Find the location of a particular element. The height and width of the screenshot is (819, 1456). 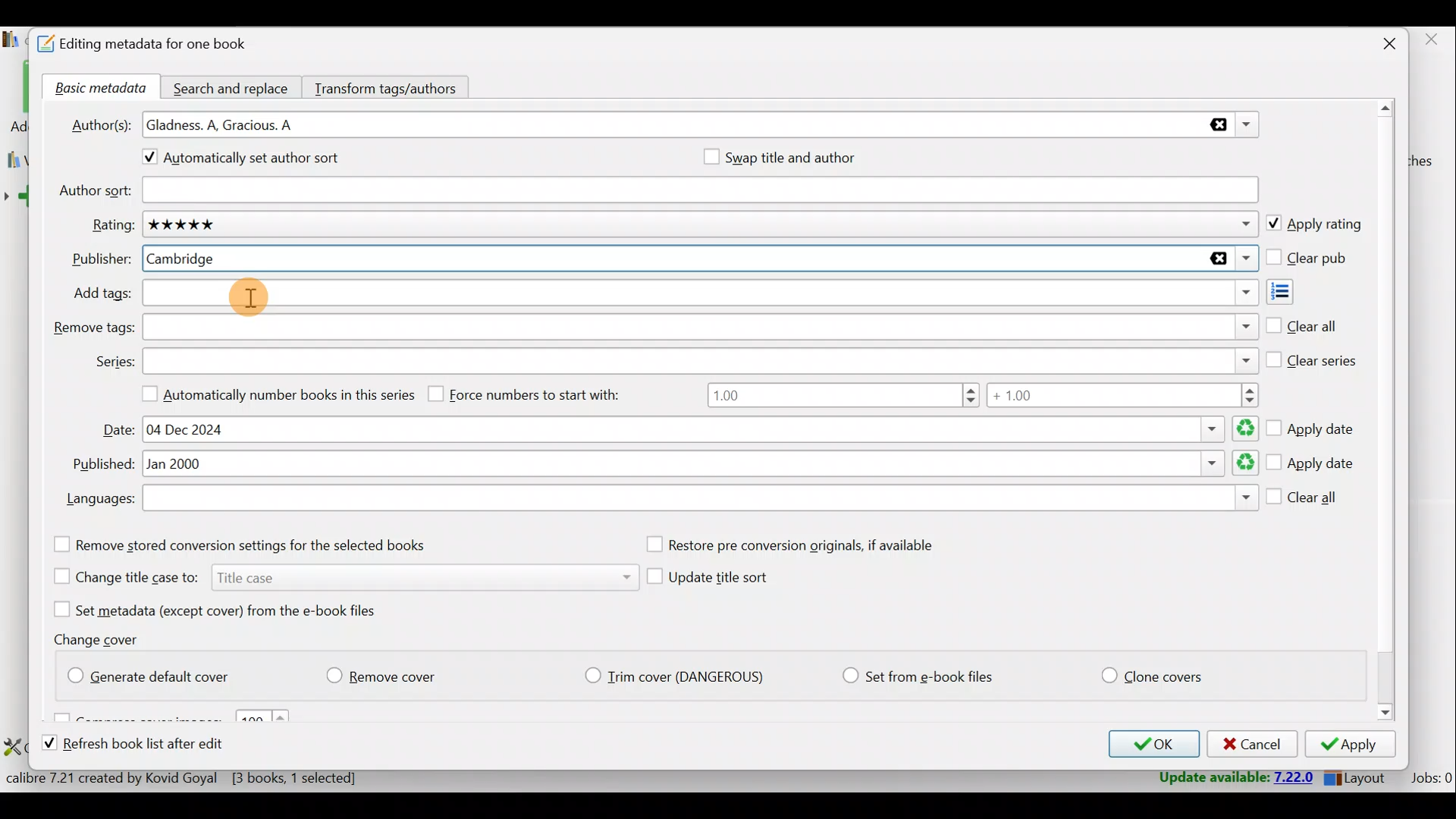

Remove tags: is located at coordinates (93, 328).